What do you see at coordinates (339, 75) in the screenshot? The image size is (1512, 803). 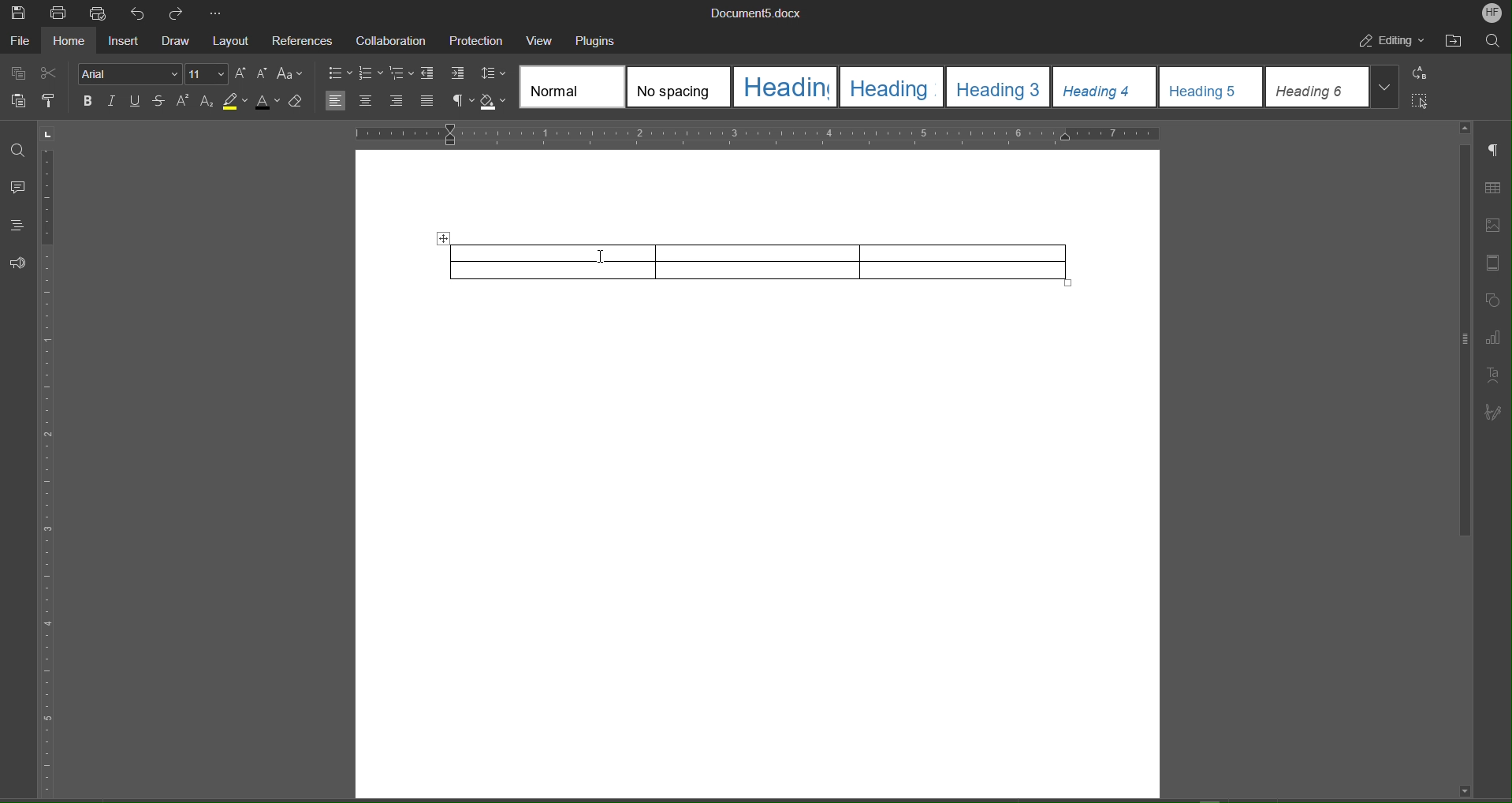 I see `bullets` at bounding box center [339, 75].